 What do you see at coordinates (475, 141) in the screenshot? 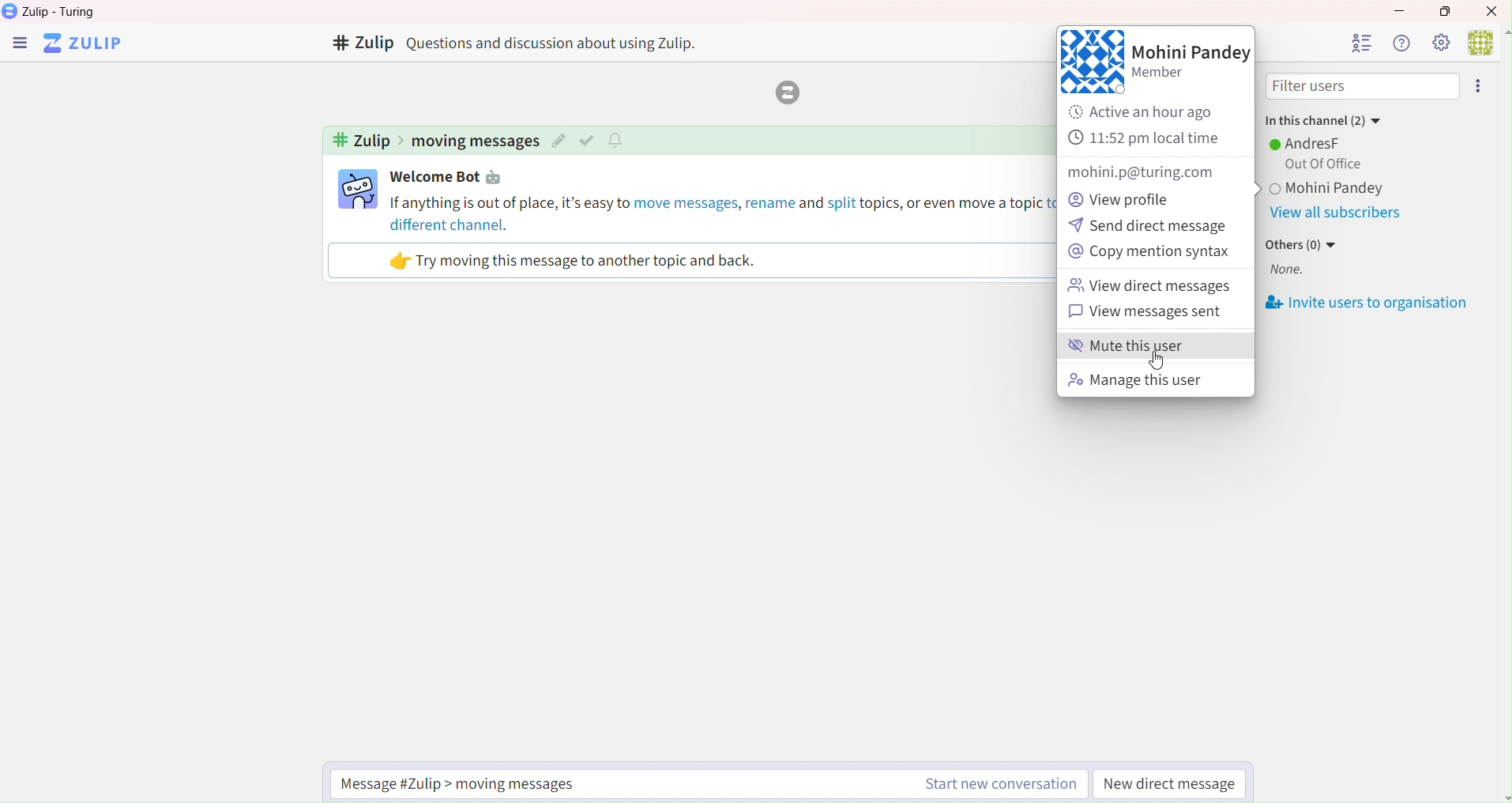
I see `moving messages` at bounding box center [475, 141].